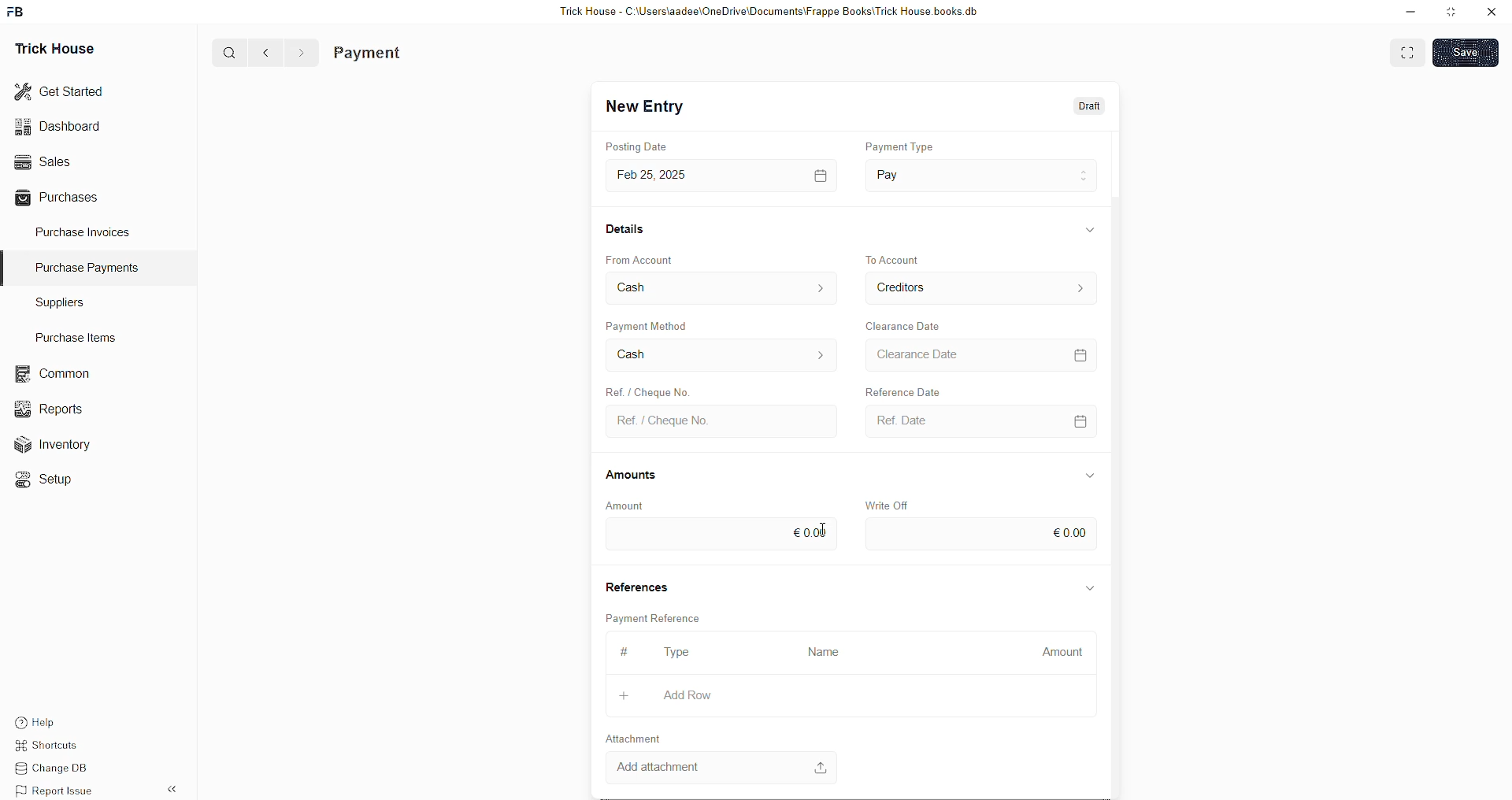 This screenshot has width=1512, height=800. I want to click on Pay, so click(913, 174).